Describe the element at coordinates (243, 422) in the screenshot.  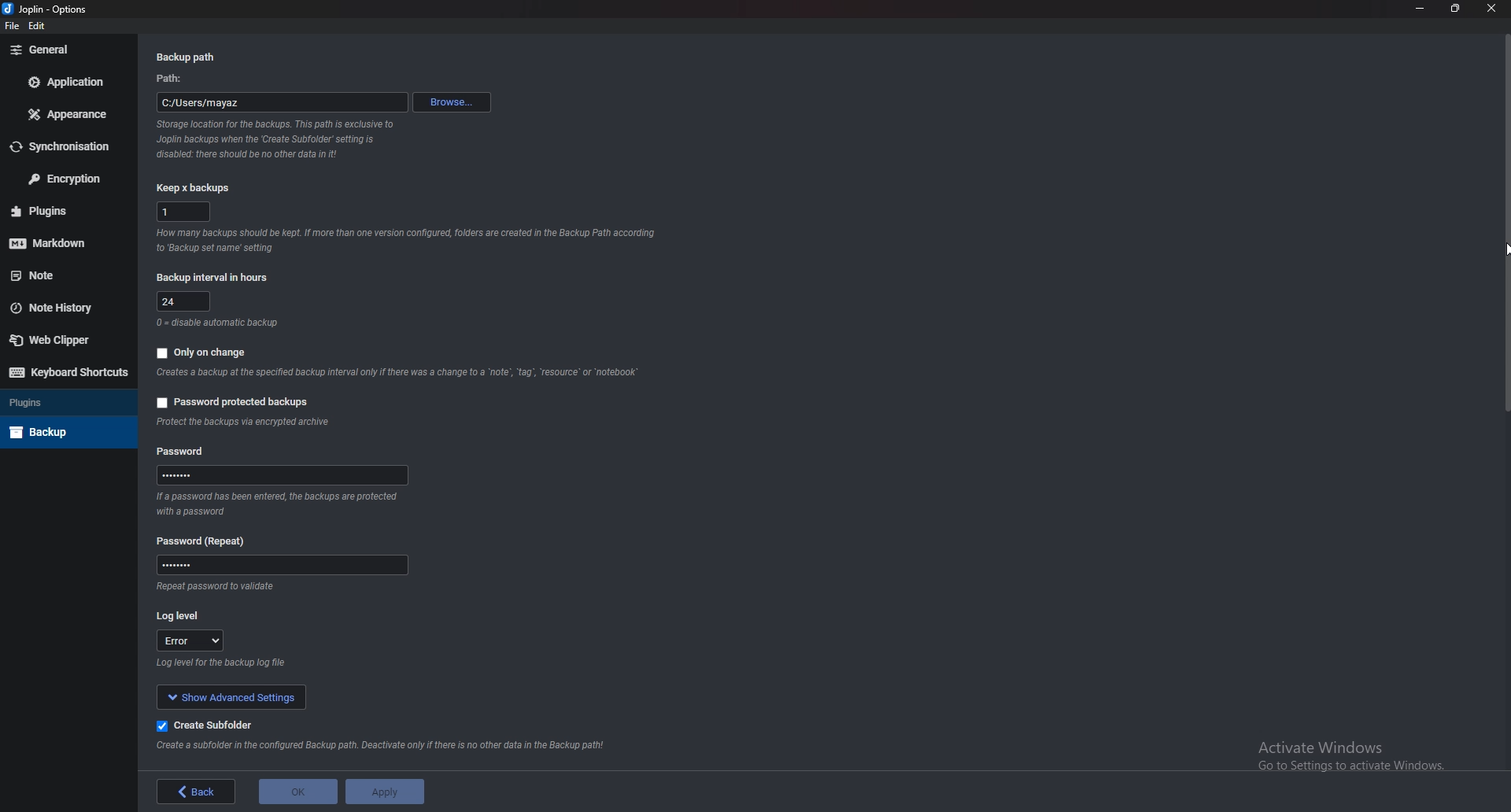
I see `Info` at that location.